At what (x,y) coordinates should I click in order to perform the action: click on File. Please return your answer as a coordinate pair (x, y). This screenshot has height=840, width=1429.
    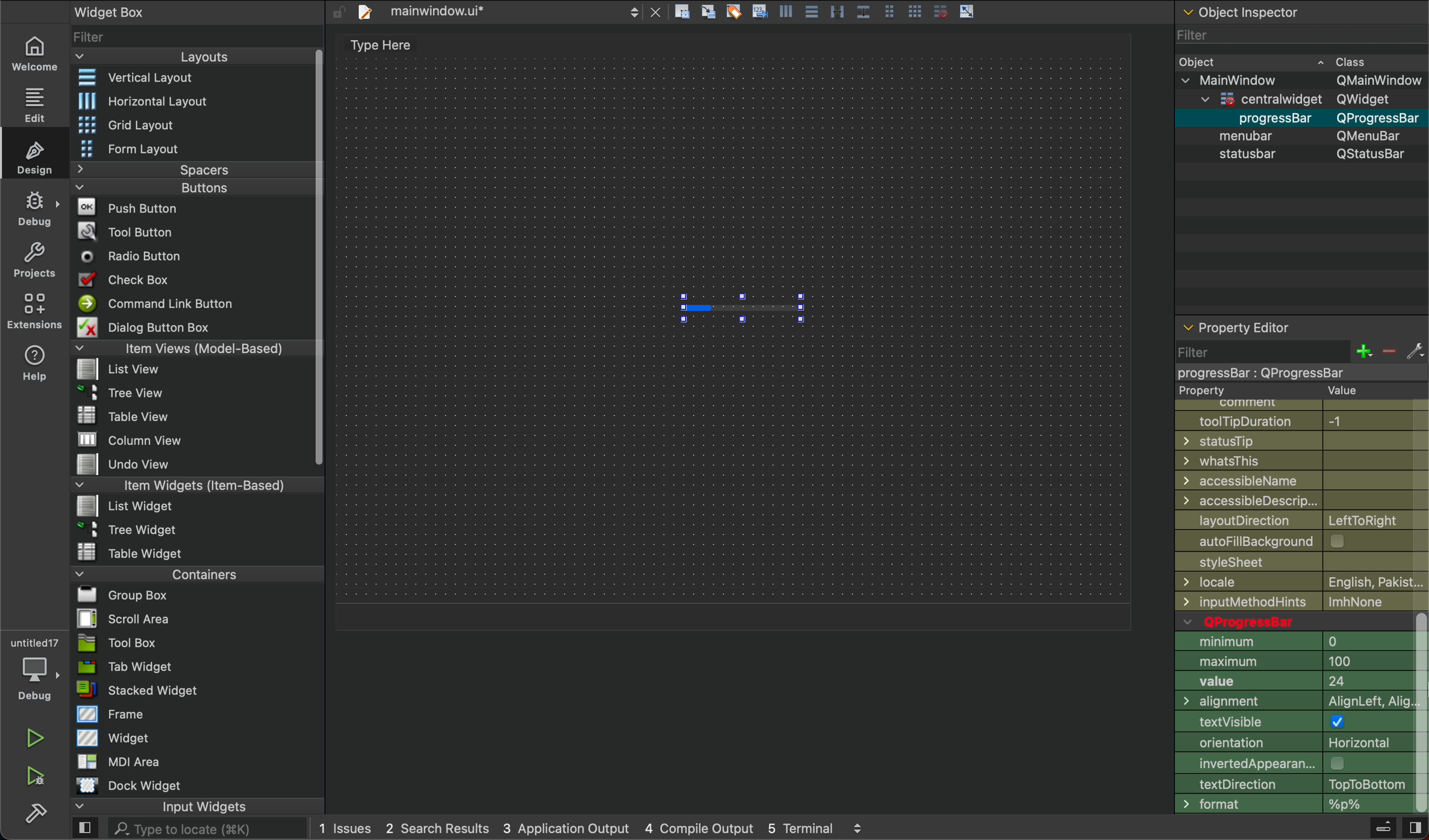
    Looking at the image, I should click on (133, 440).